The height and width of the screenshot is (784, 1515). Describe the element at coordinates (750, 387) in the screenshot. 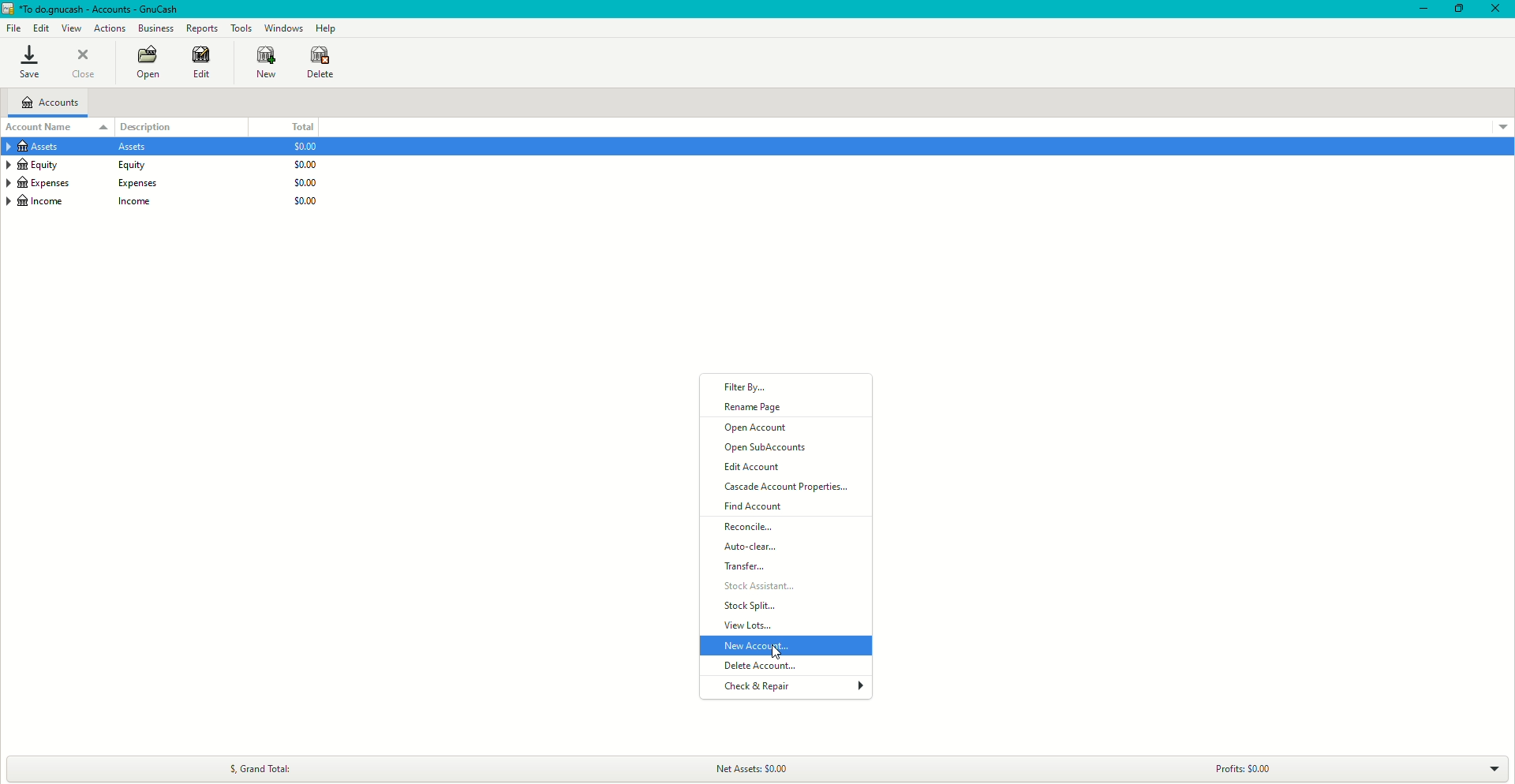

I see `Filter by` at that location.